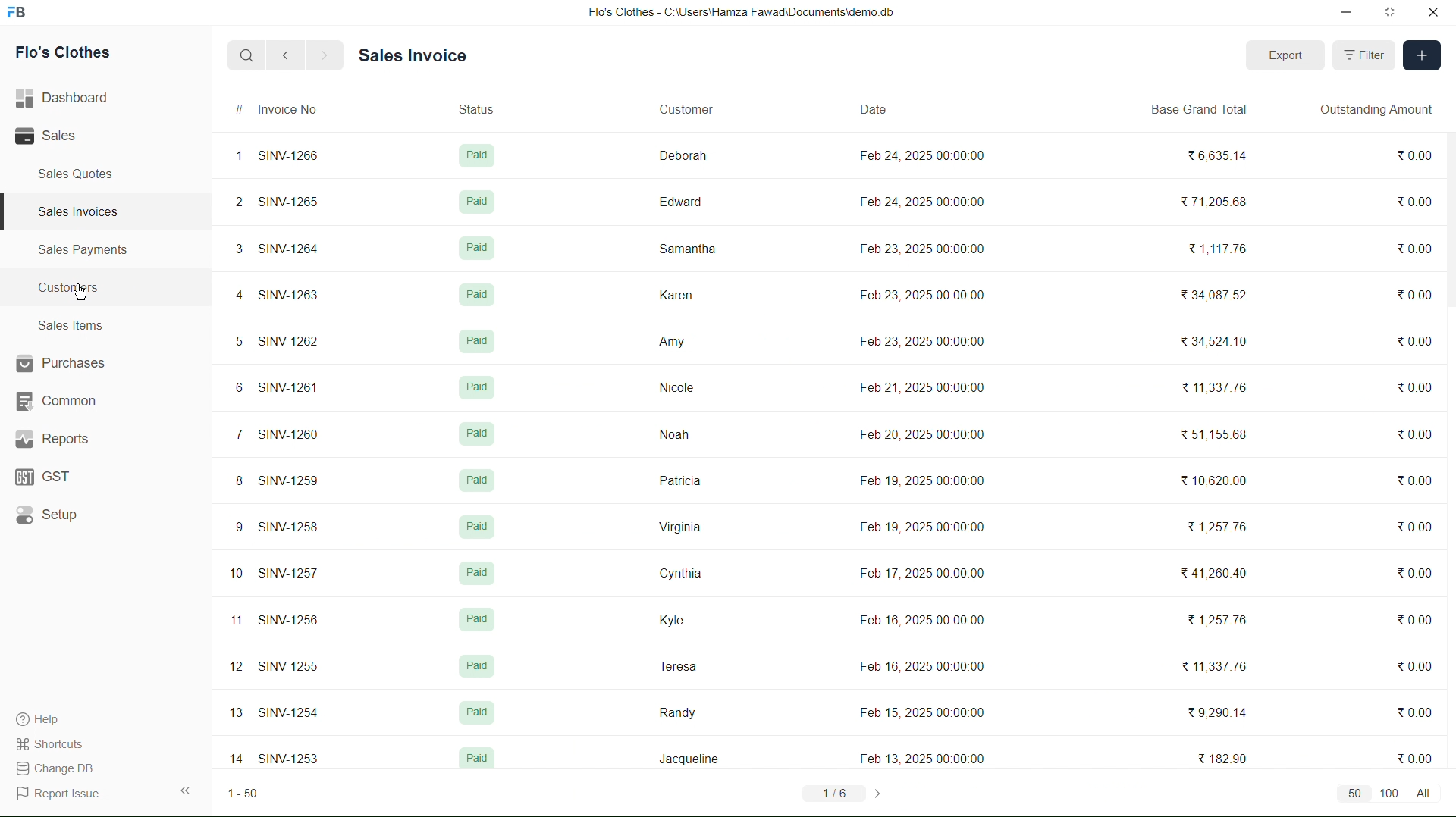 The height and width of the screenshot is (817, 1456). I want to click on Sales Payments, so click(86, 251).